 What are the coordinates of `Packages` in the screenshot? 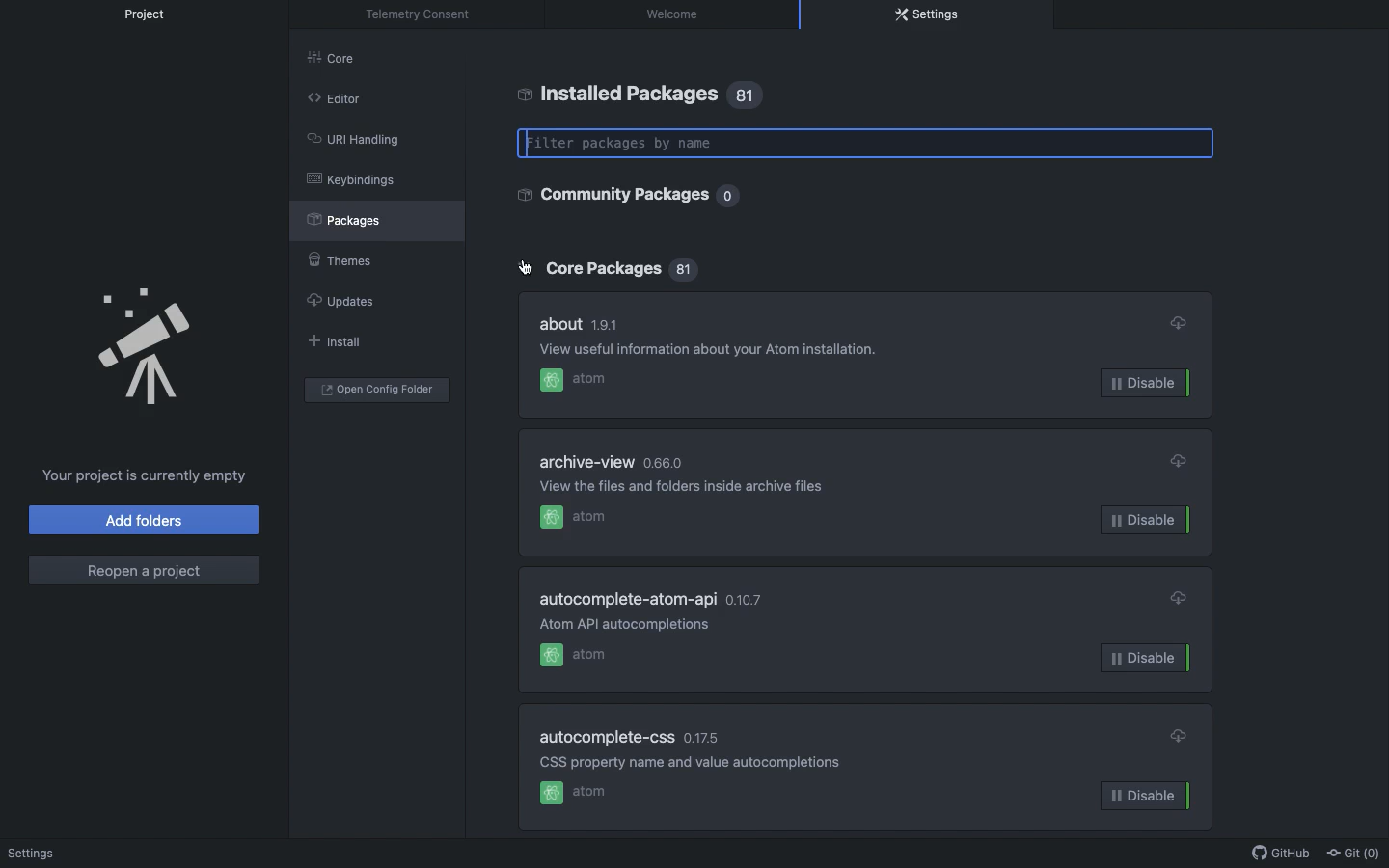 It's located at (354, 219).